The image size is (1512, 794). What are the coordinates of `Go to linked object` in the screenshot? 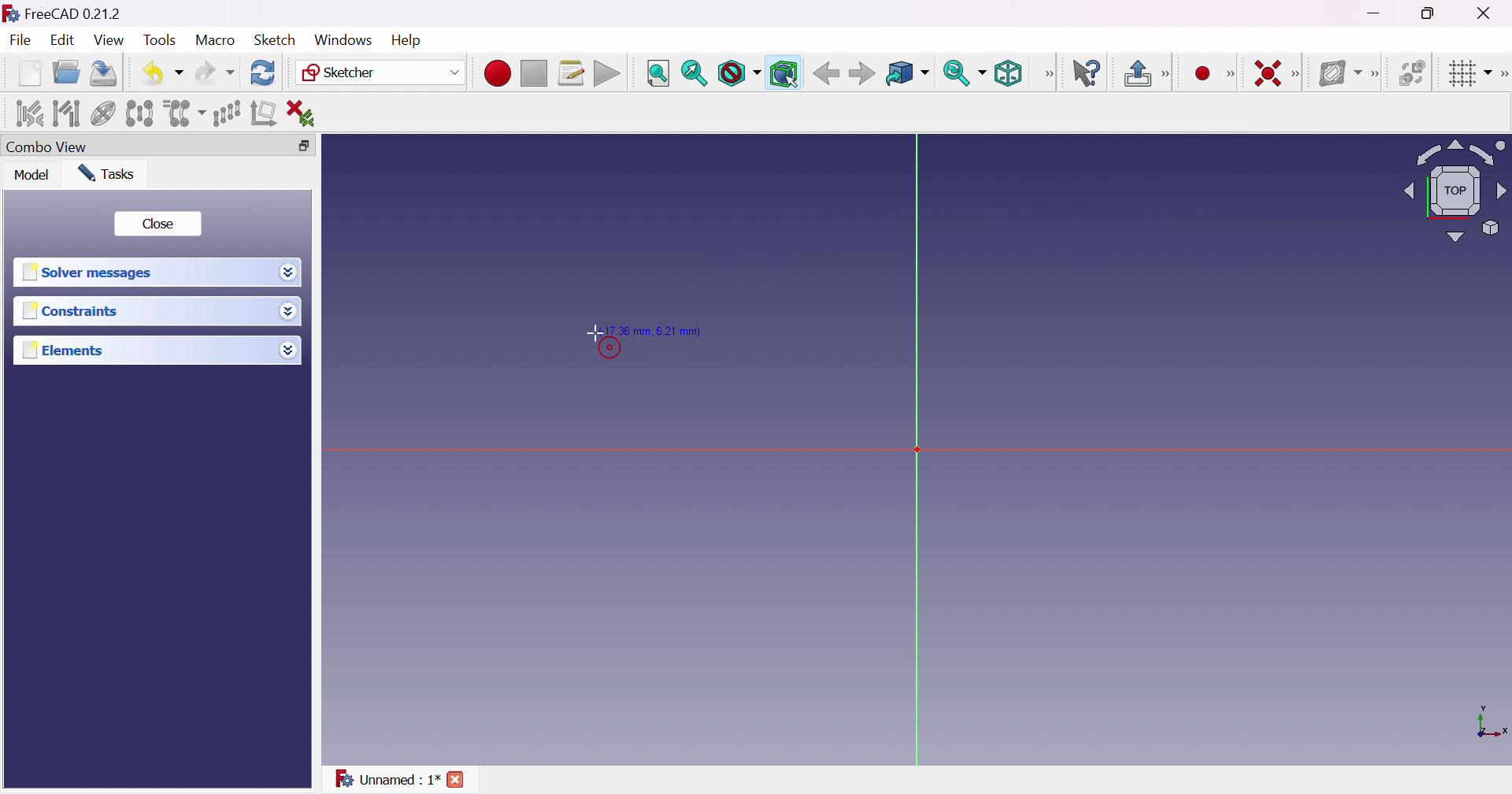 It's located at (906, 74).